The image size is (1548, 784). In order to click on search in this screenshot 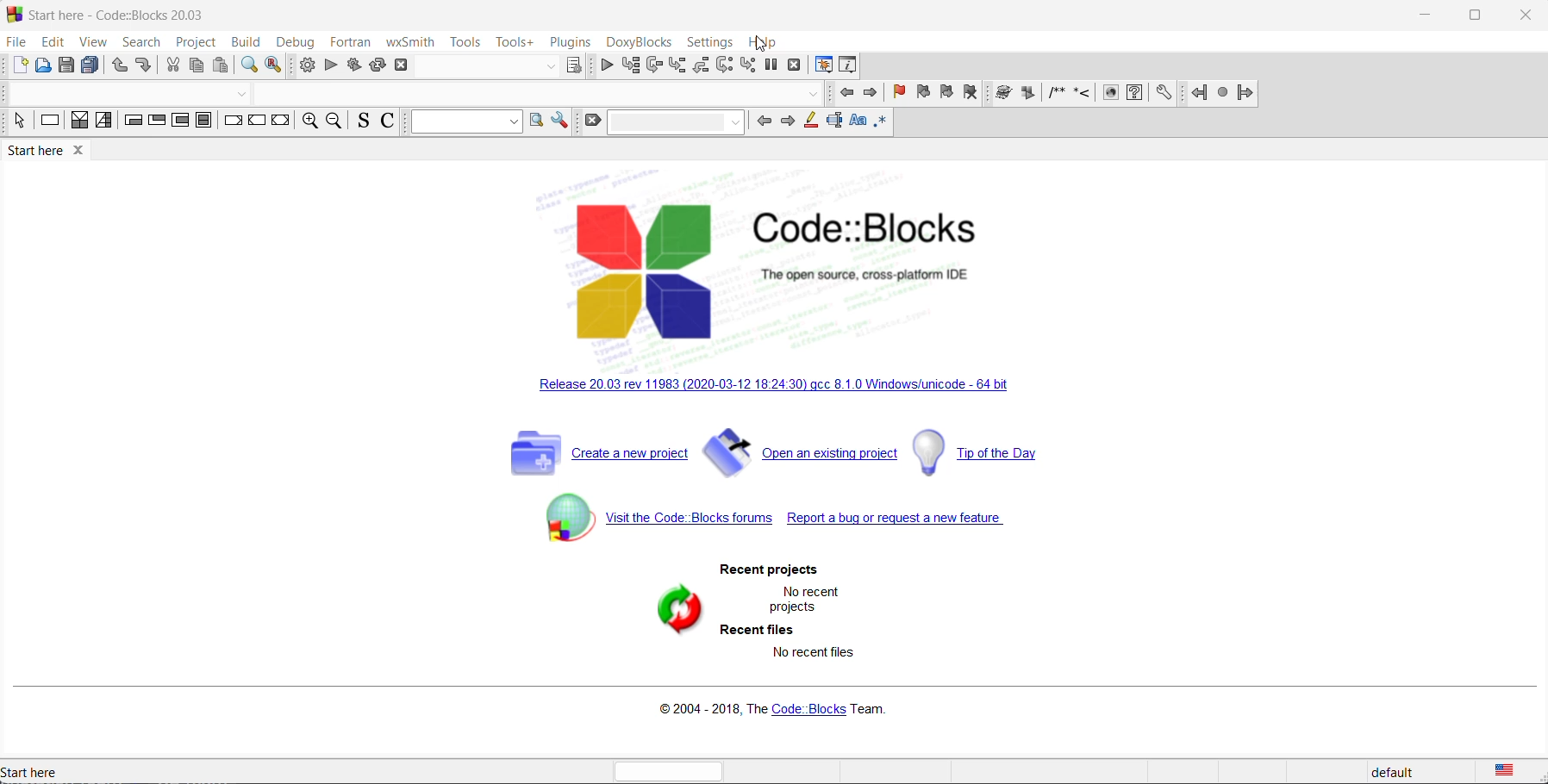, I will do `click(140, 41)`.